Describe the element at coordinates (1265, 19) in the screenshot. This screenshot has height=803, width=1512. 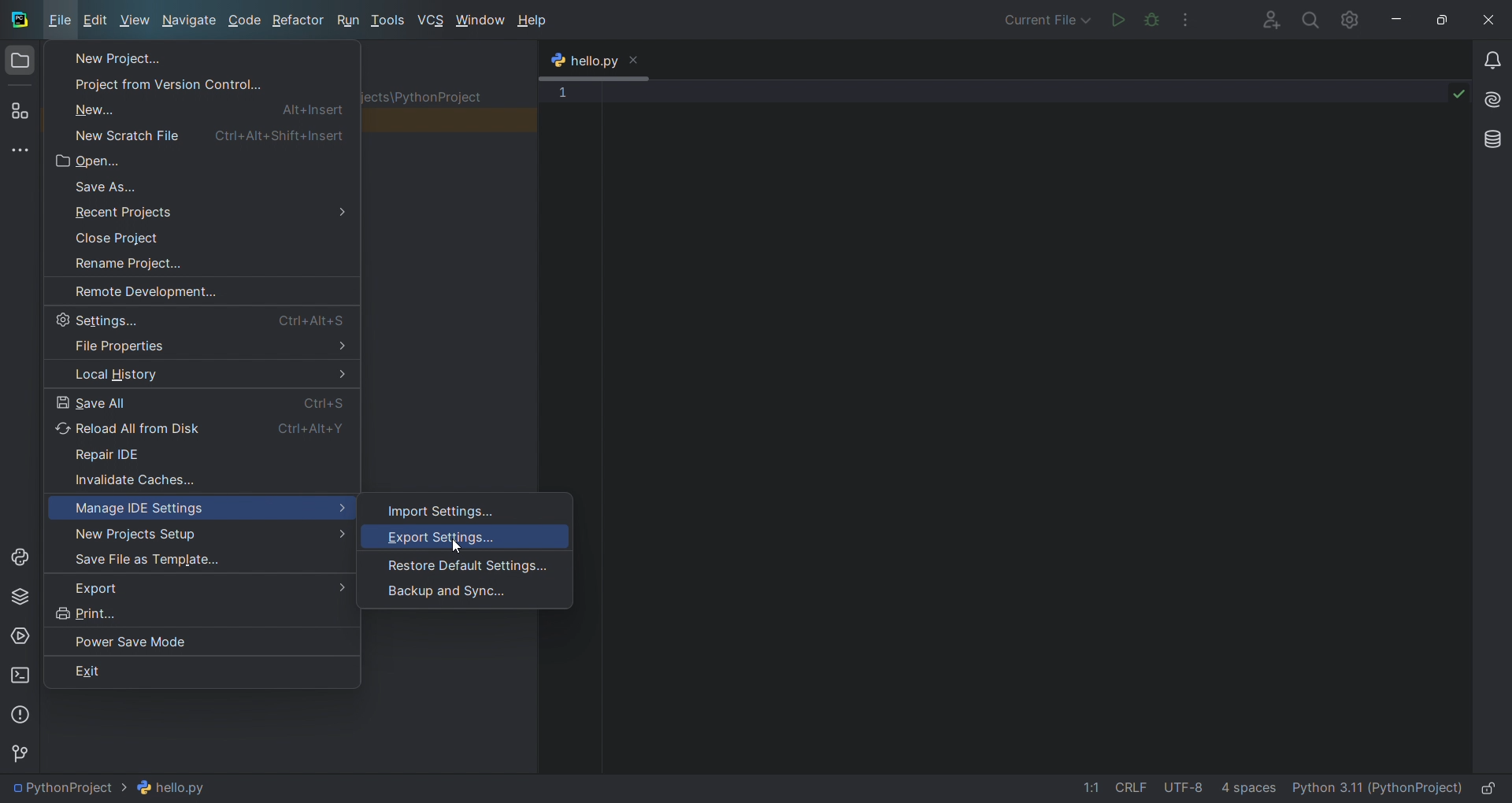
I see `collab` at that location.